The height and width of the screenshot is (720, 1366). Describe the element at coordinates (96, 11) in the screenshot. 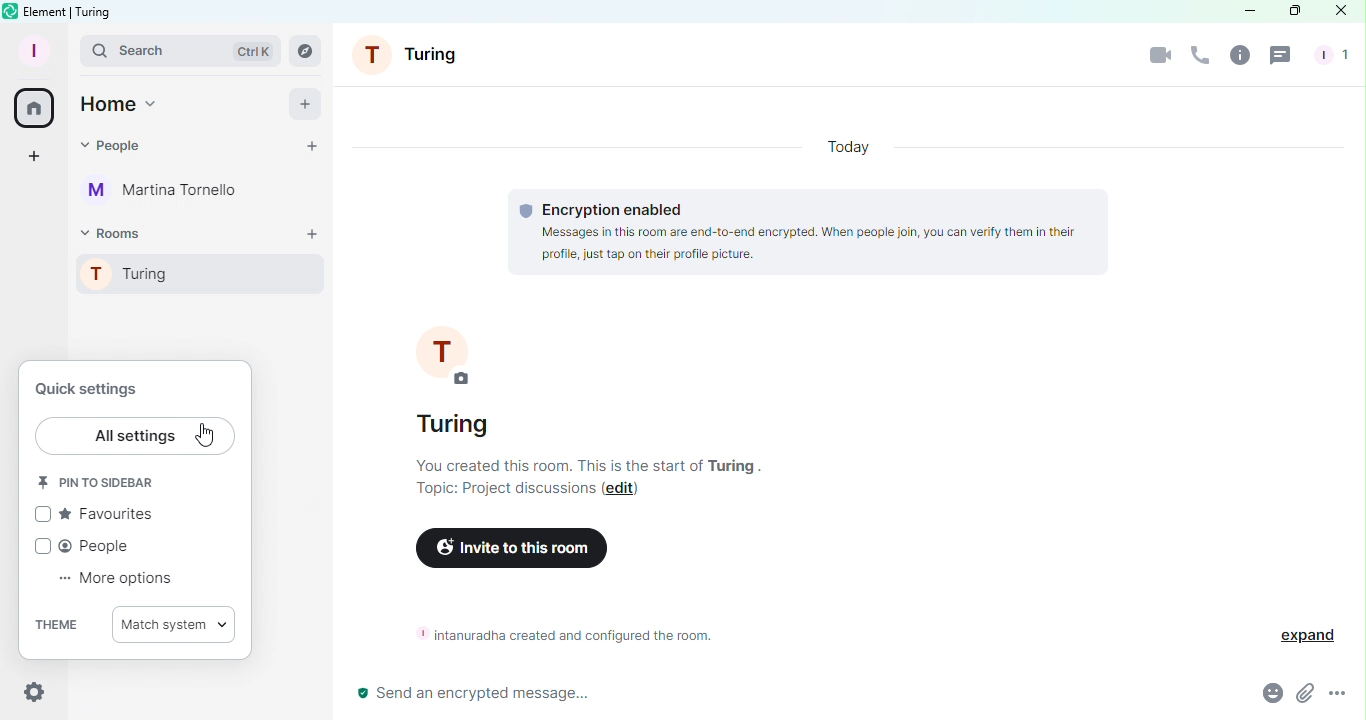

I see `turing` at that location.